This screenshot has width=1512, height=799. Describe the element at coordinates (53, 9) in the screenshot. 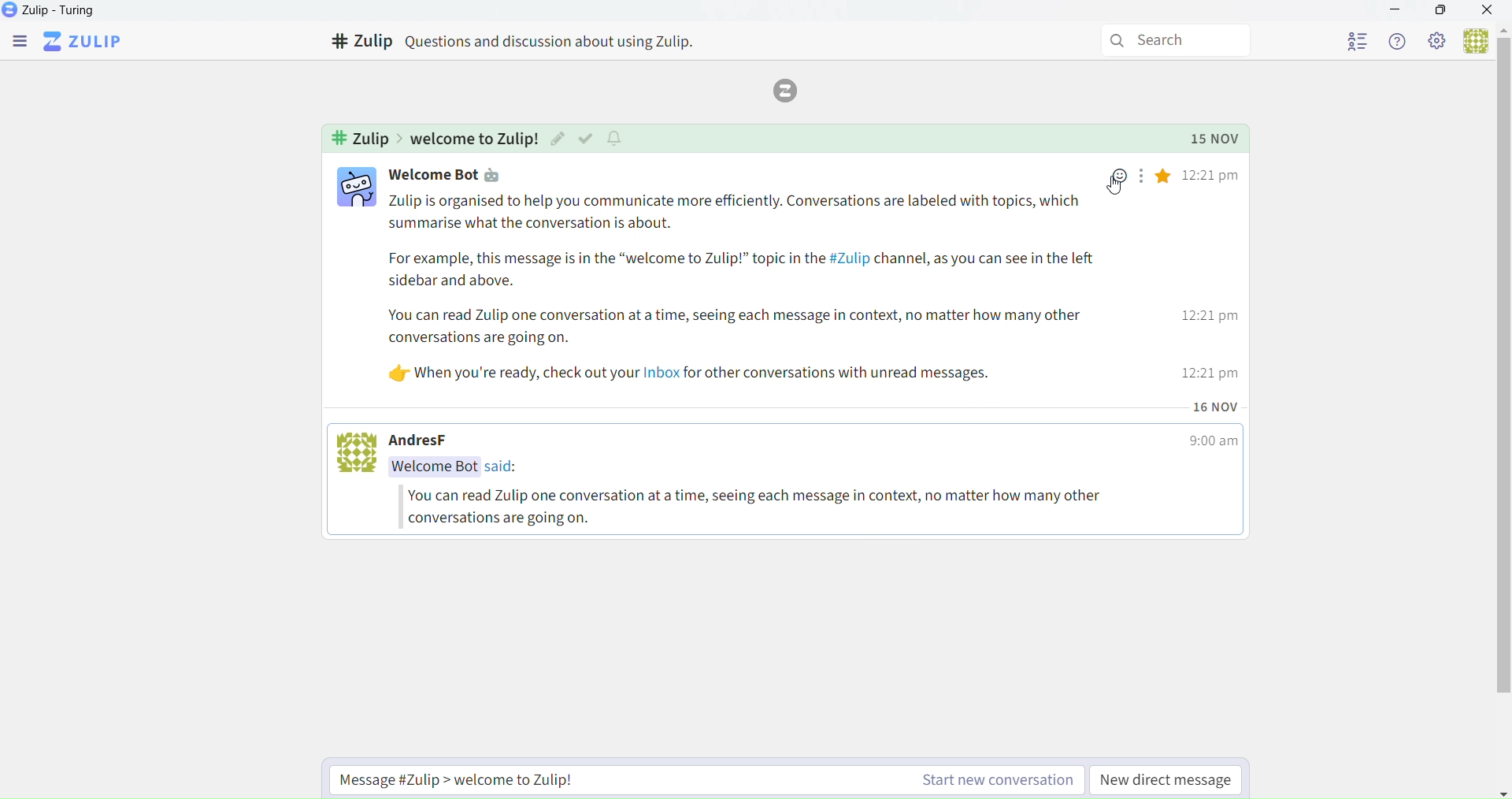

I see `Zulip` at that location.